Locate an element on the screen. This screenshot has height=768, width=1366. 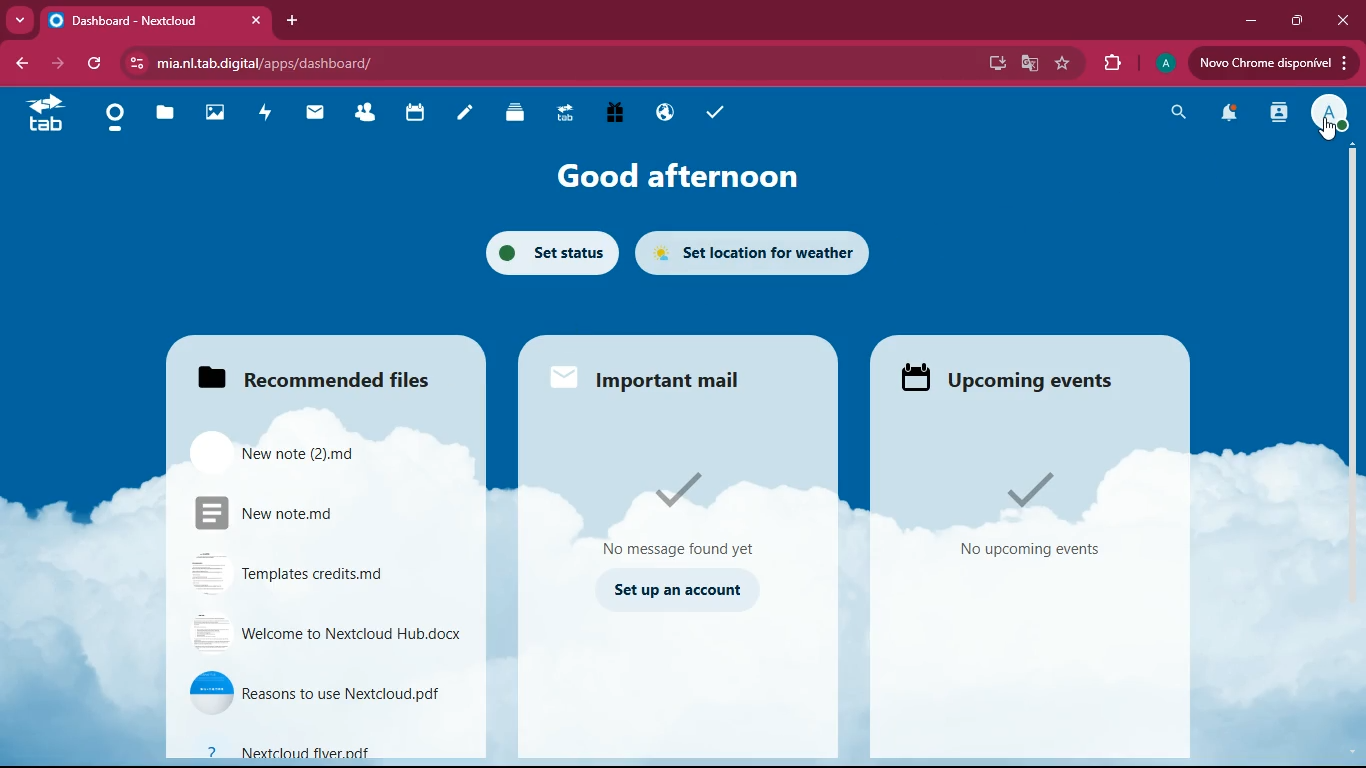
activity is located at coordinates (263, 115).